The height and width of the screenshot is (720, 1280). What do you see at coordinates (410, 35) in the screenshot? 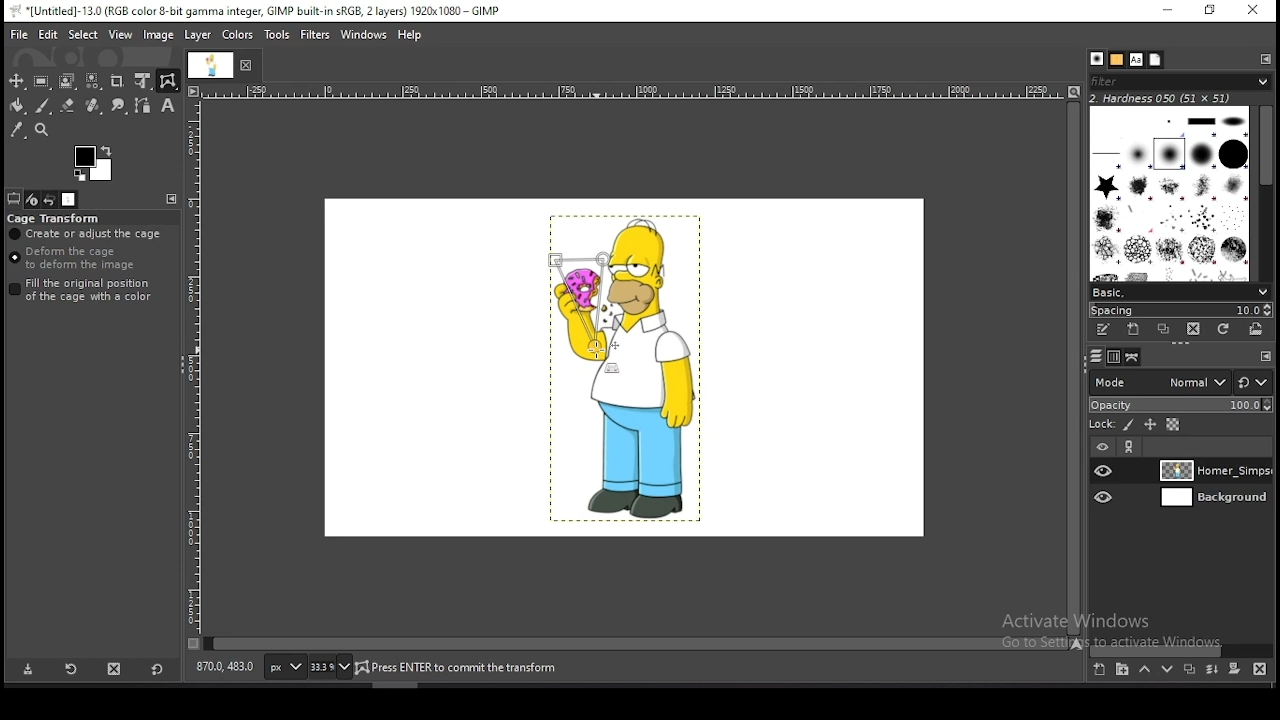
I see `help` at bounding box center [410, 35].